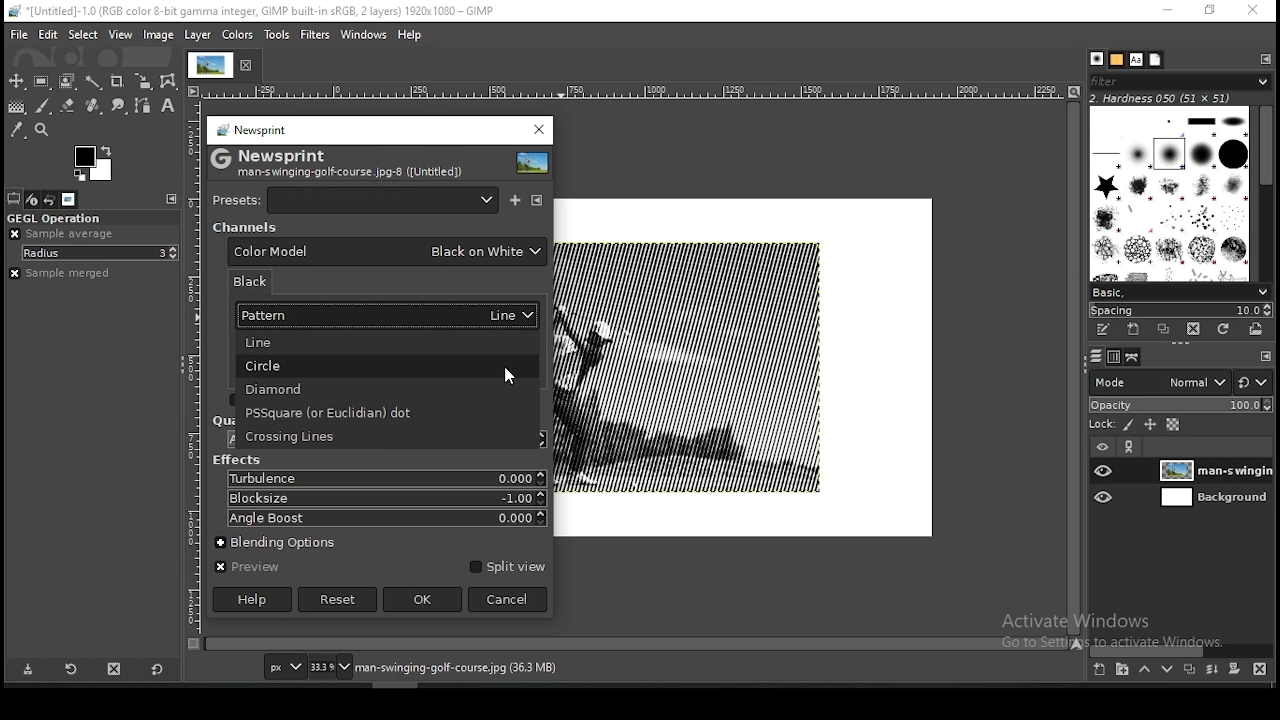 This screenshot has height=720, width=1280. I want to click on link, so click(1130, 446).